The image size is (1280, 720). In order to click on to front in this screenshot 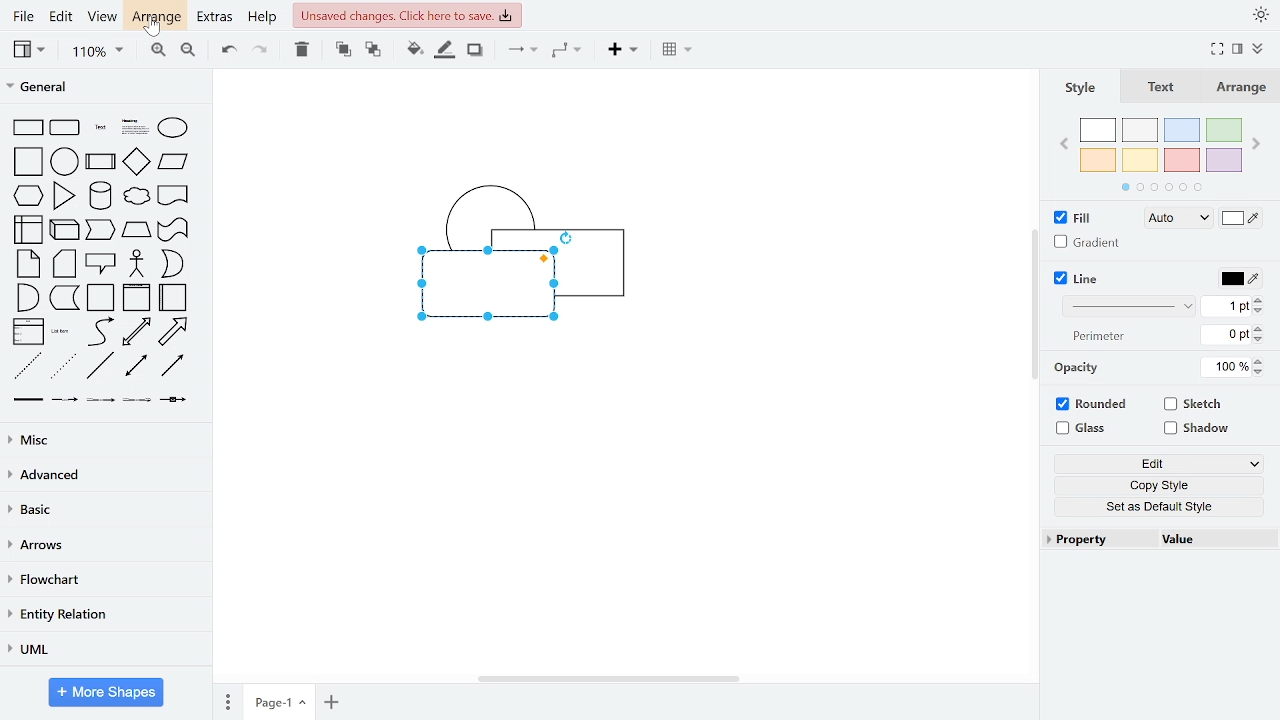, I will do `click(342, 52)`.